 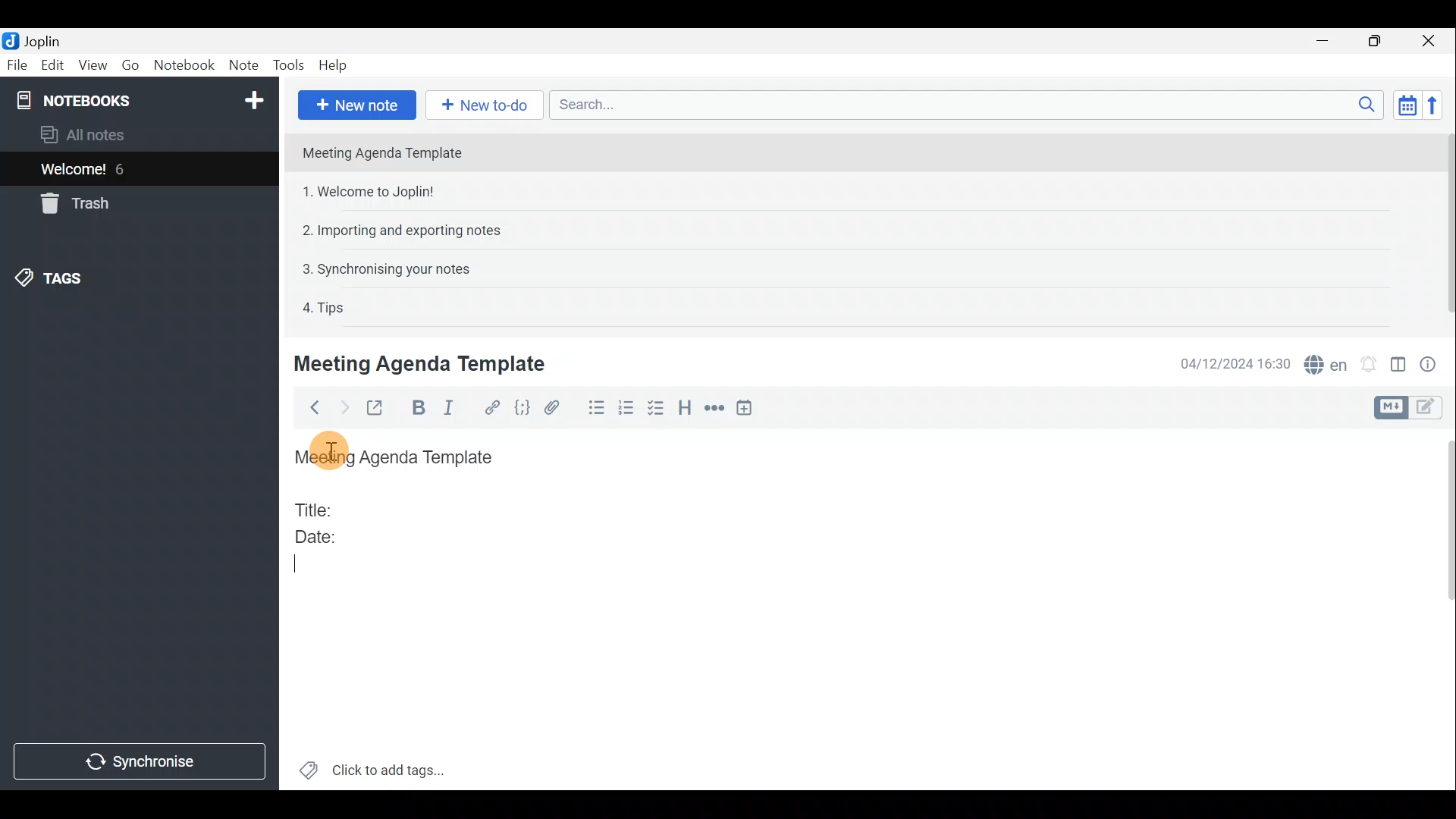 What do you see at coordinates (72, 203) in the screenshot?
I see `Trash` at bounding box center [72, 203].